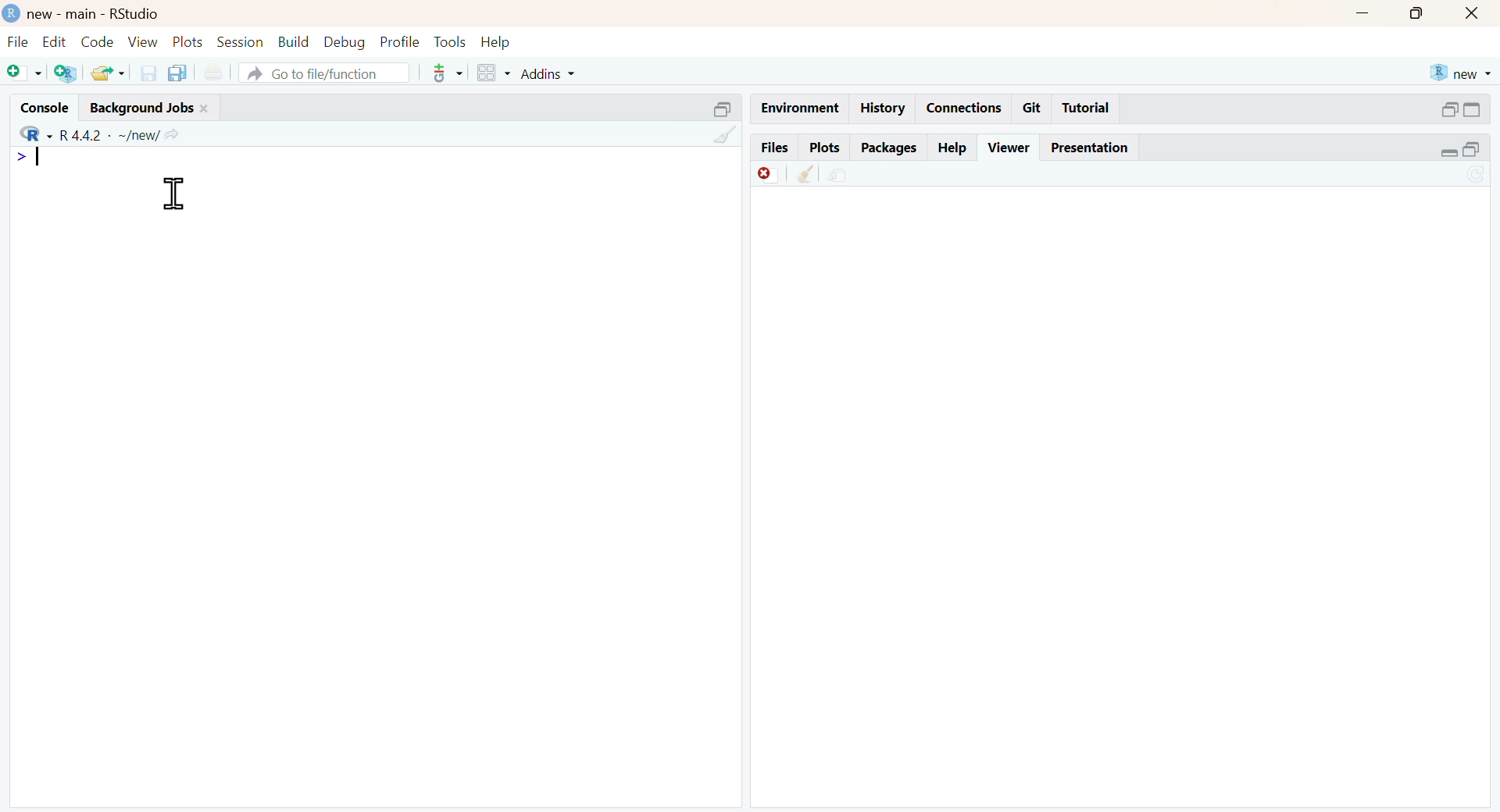  What do you see at coordinates (214, 72) in the screenshot?
I see `print` at bounding box center [214, 72].